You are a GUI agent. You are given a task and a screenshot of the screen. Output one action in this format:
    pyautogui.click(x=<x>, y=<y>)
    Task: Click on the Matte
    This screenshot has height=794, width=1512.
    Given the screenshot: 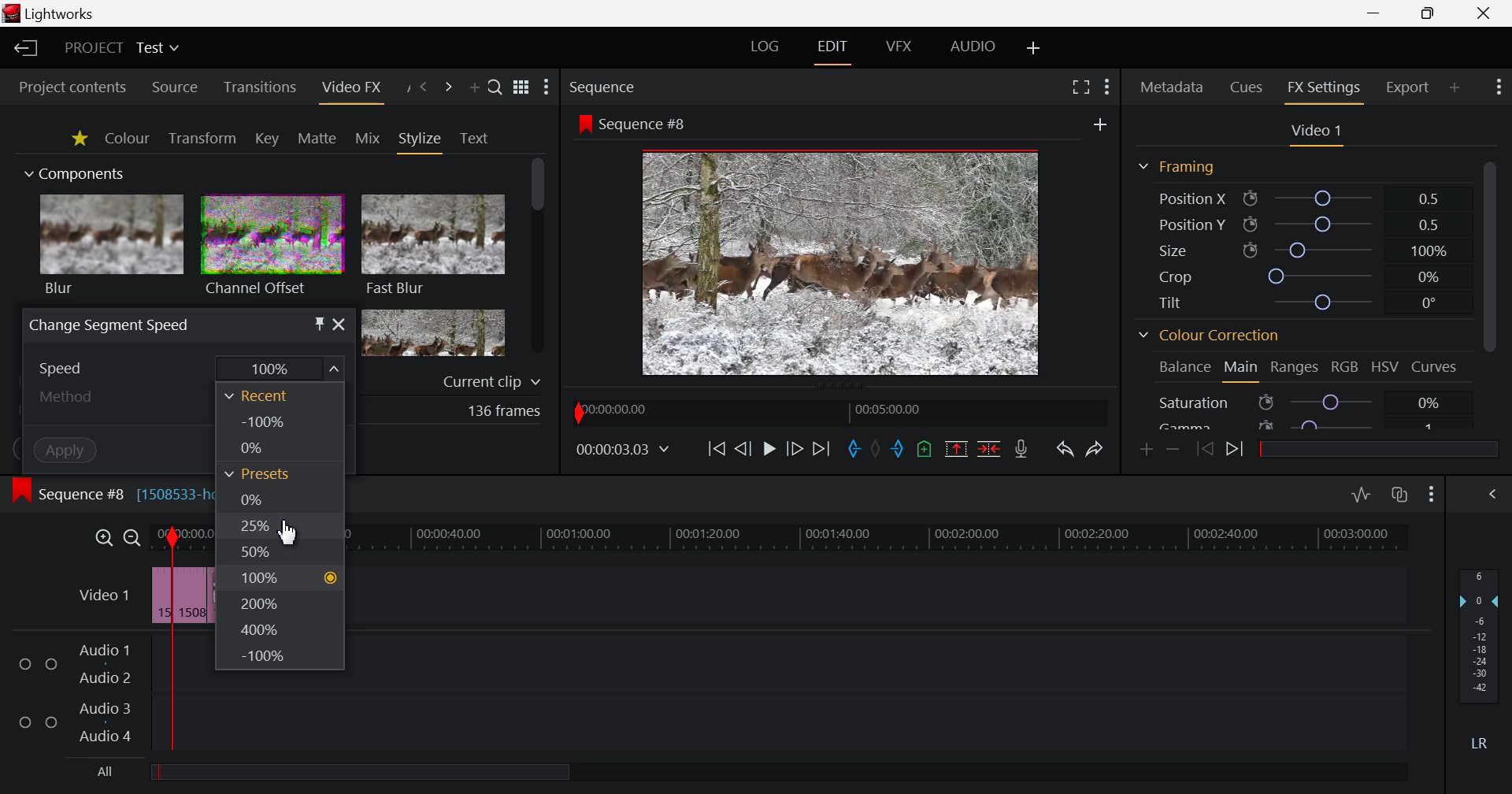 What is the action you would take?
    pyautogui.click(x=317, y=139)
    